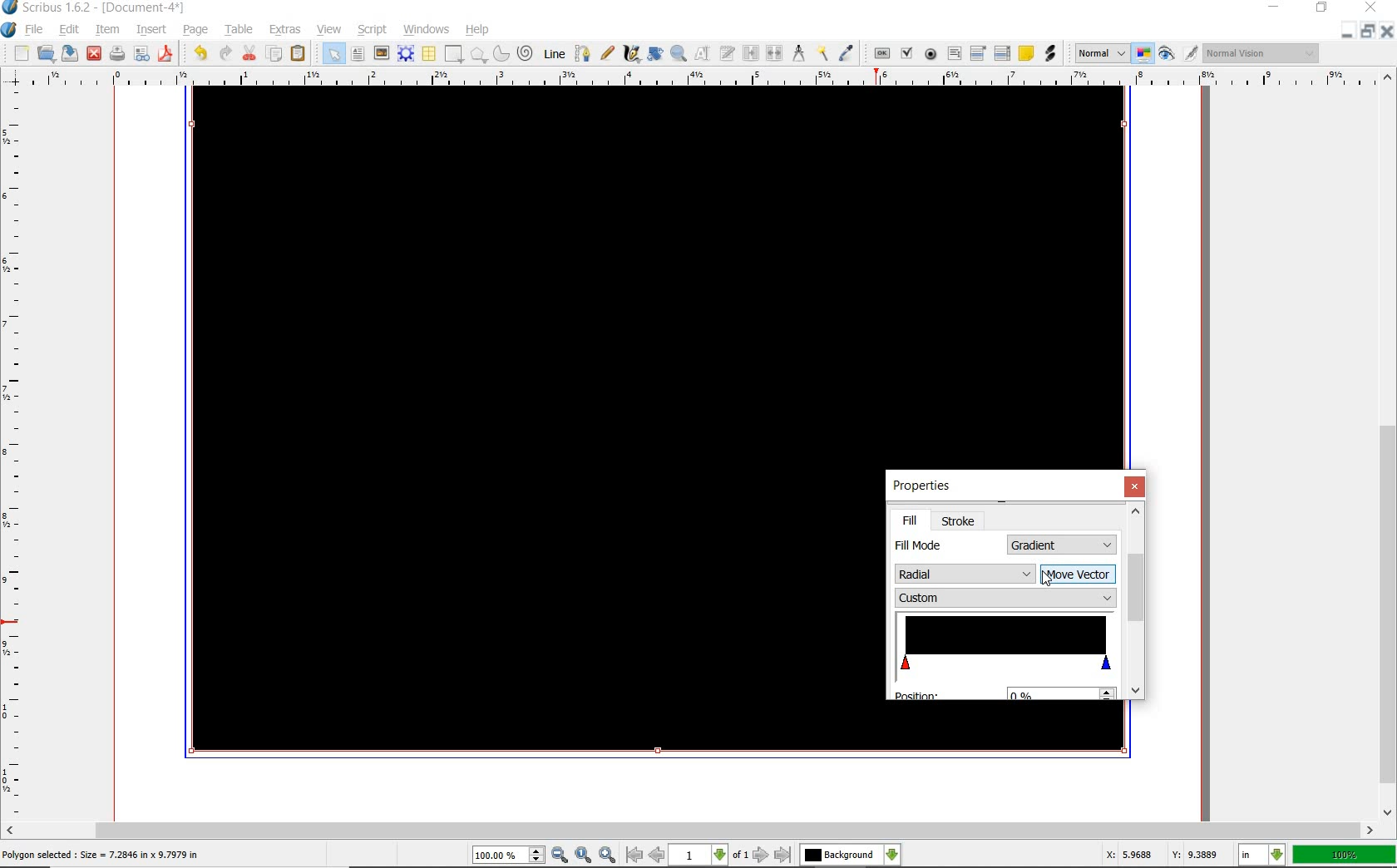 The width and height of the screenshot is (1397, 868). What do you see at coordinates (960, 520) in the screenshot?
I see `stroke` at bounding box center [960, 520].